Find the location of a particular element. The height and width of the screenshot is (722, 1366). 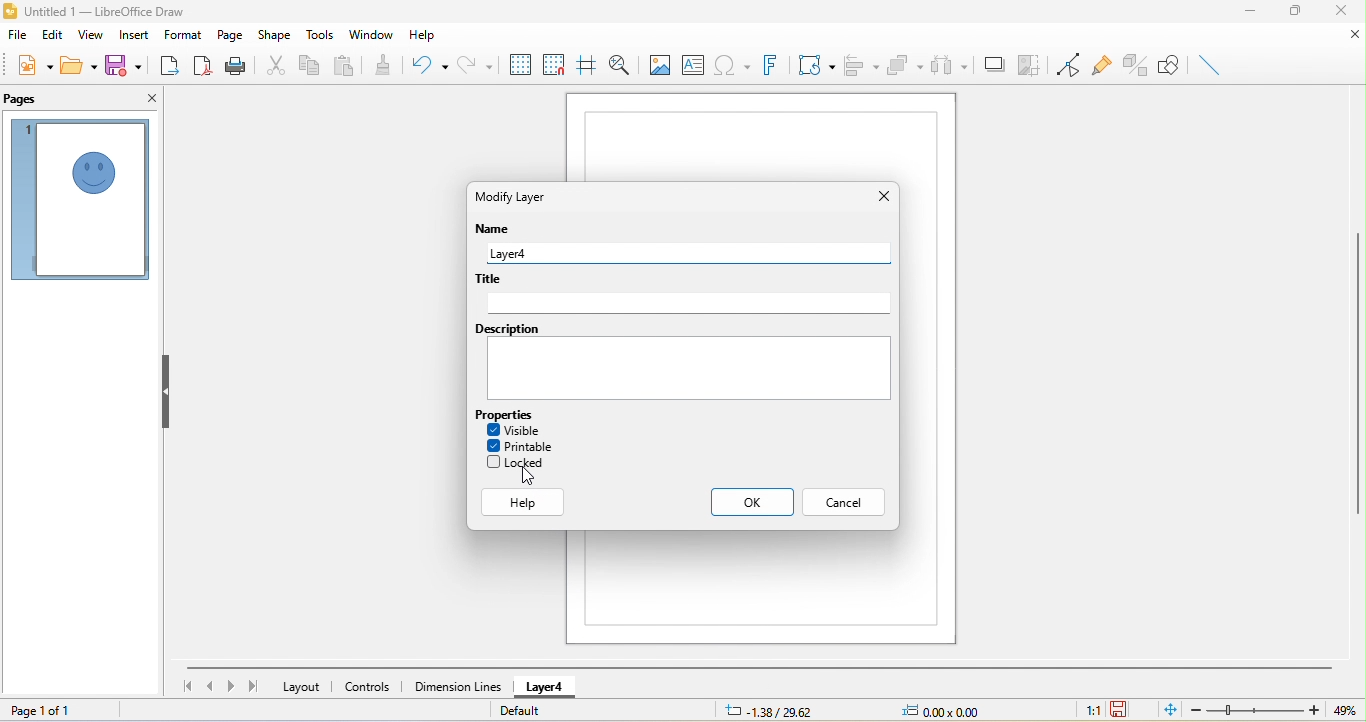

cursor movement is located at coordinates (523, 478).